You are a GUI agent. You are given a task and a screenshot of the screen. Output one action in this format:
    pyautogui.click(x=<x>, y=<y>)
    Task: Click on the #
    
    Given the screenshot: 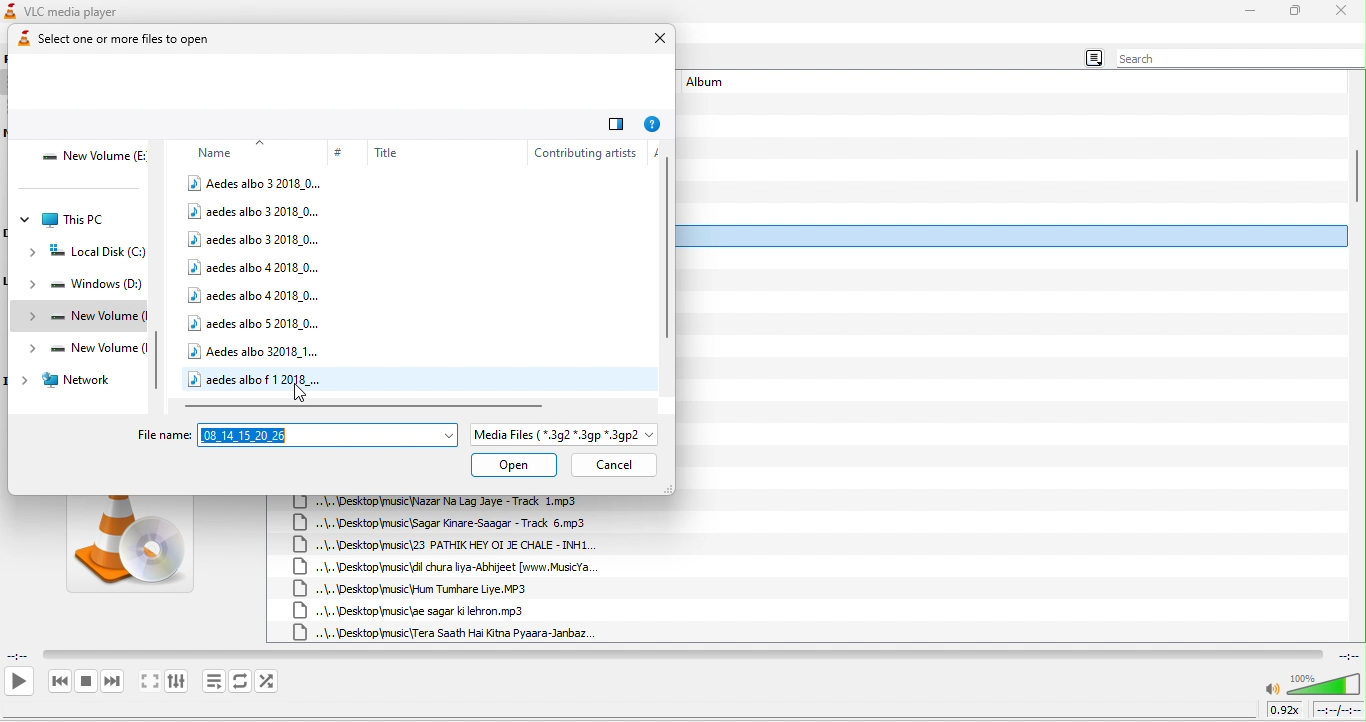 What is the action you would take?
    pyautogui.click(x=341, y=153)
    